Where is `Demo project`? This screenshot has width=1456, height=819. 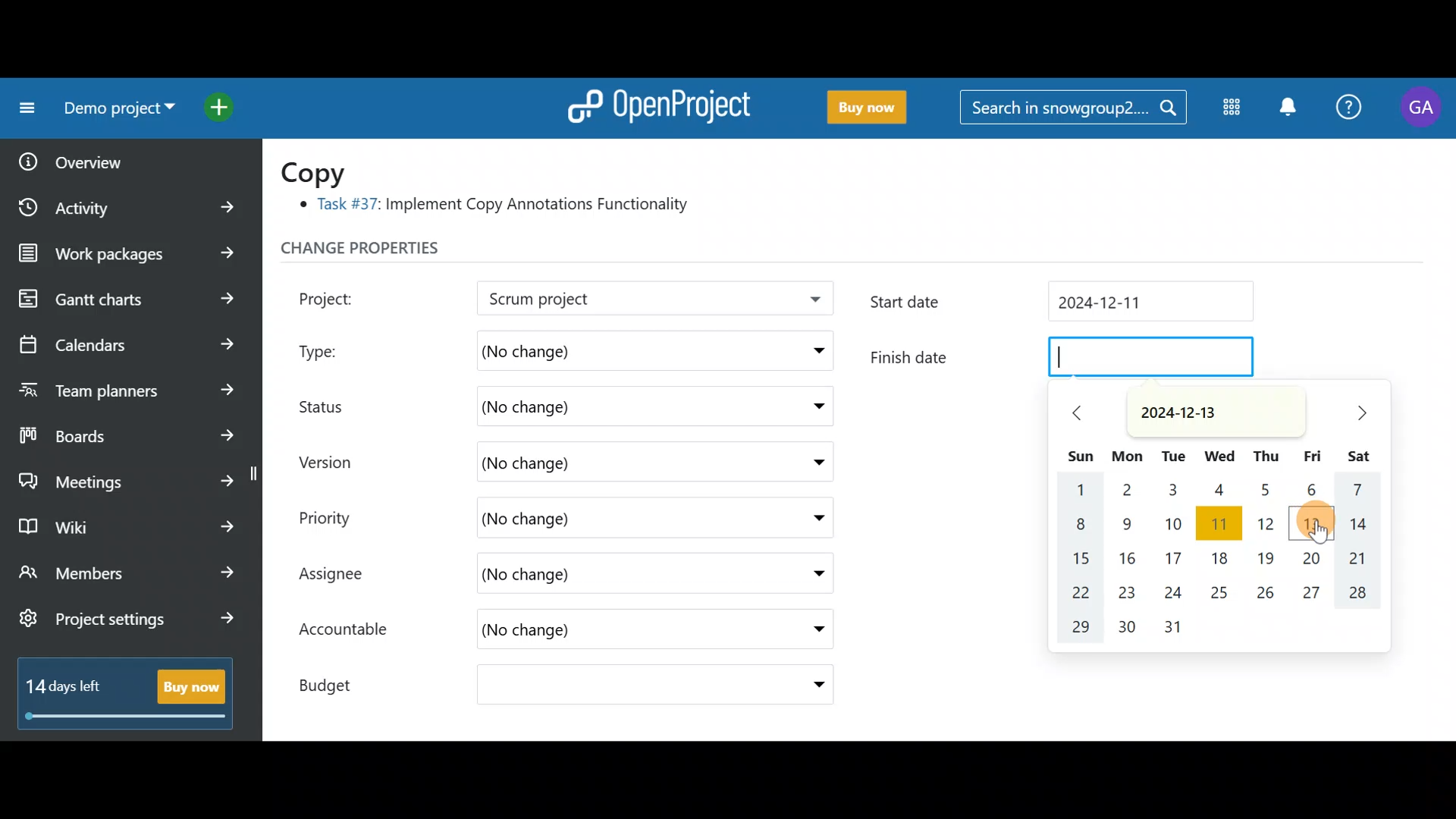 Demo project is located at coordinates (610, 300).